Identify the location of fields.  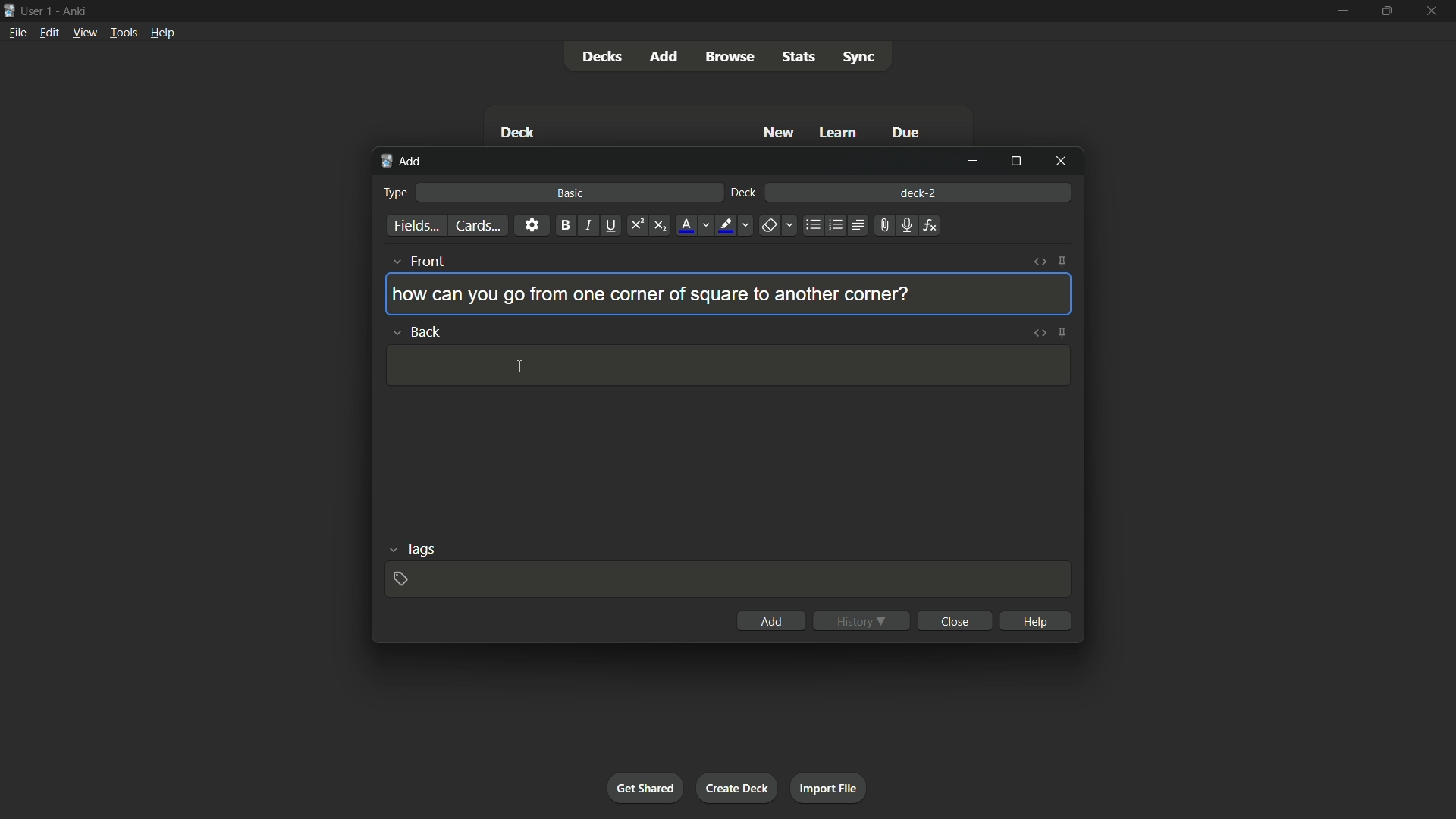
(417, 226).